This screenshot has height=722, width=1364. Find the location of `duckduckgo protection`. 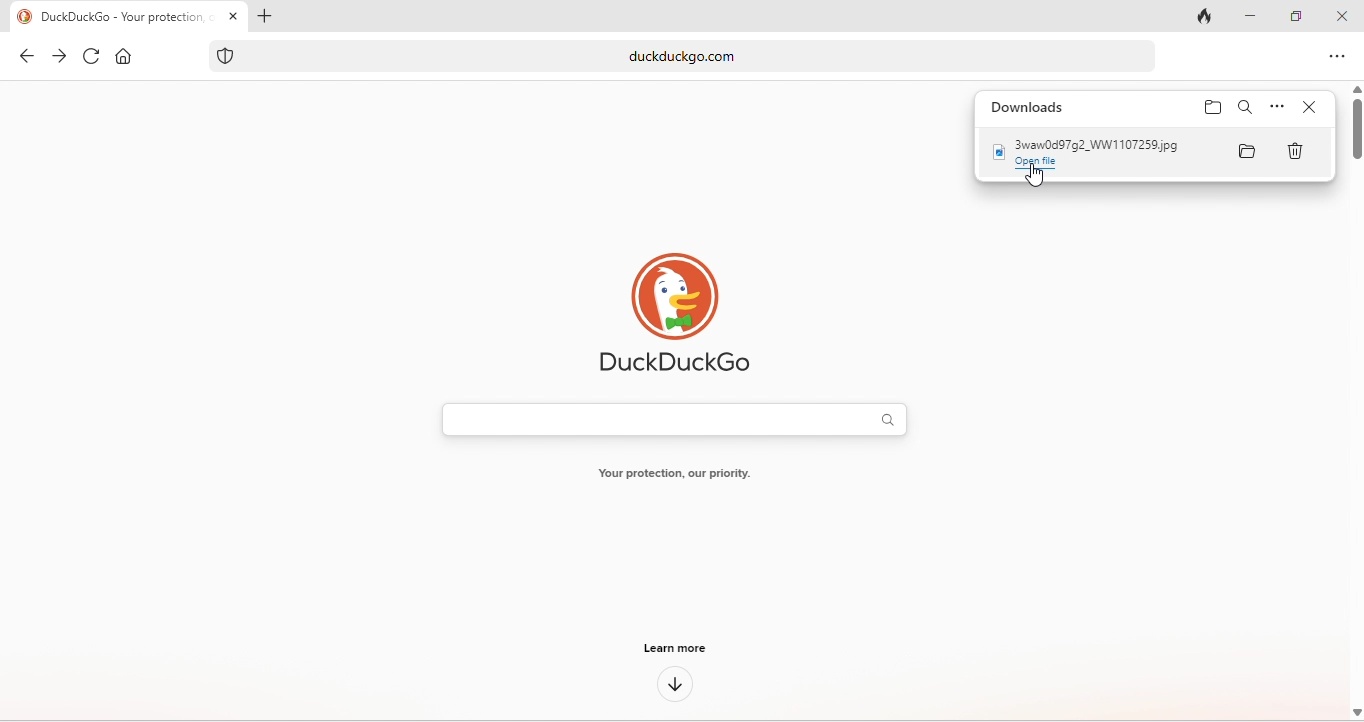

duckduckgo protection is located at coordinates (229, 56).